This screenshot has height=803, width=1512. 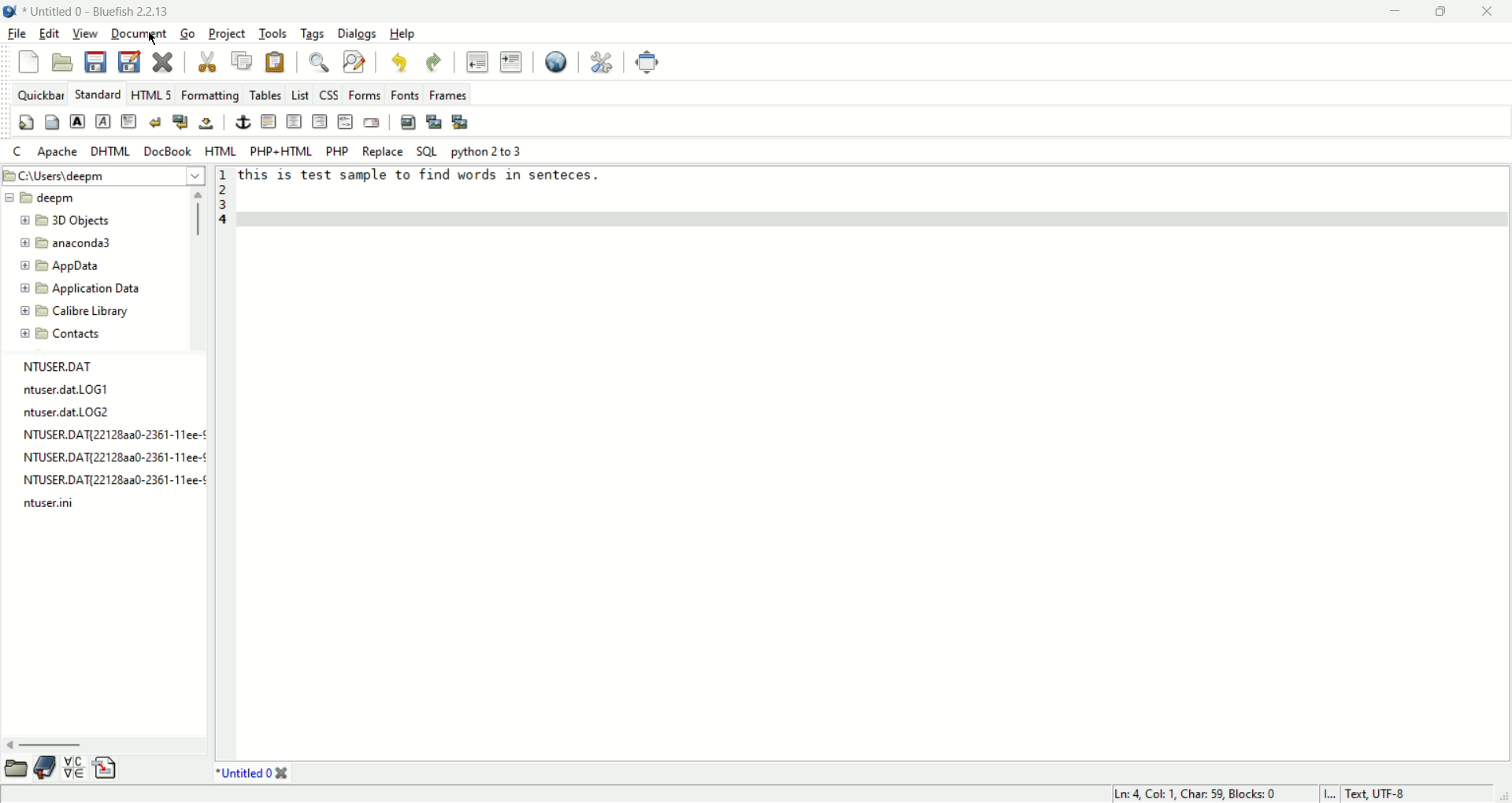 What do you see at coordinates (15, 35) in the screenshot?
I see `file` at bounding box center [15, 35].